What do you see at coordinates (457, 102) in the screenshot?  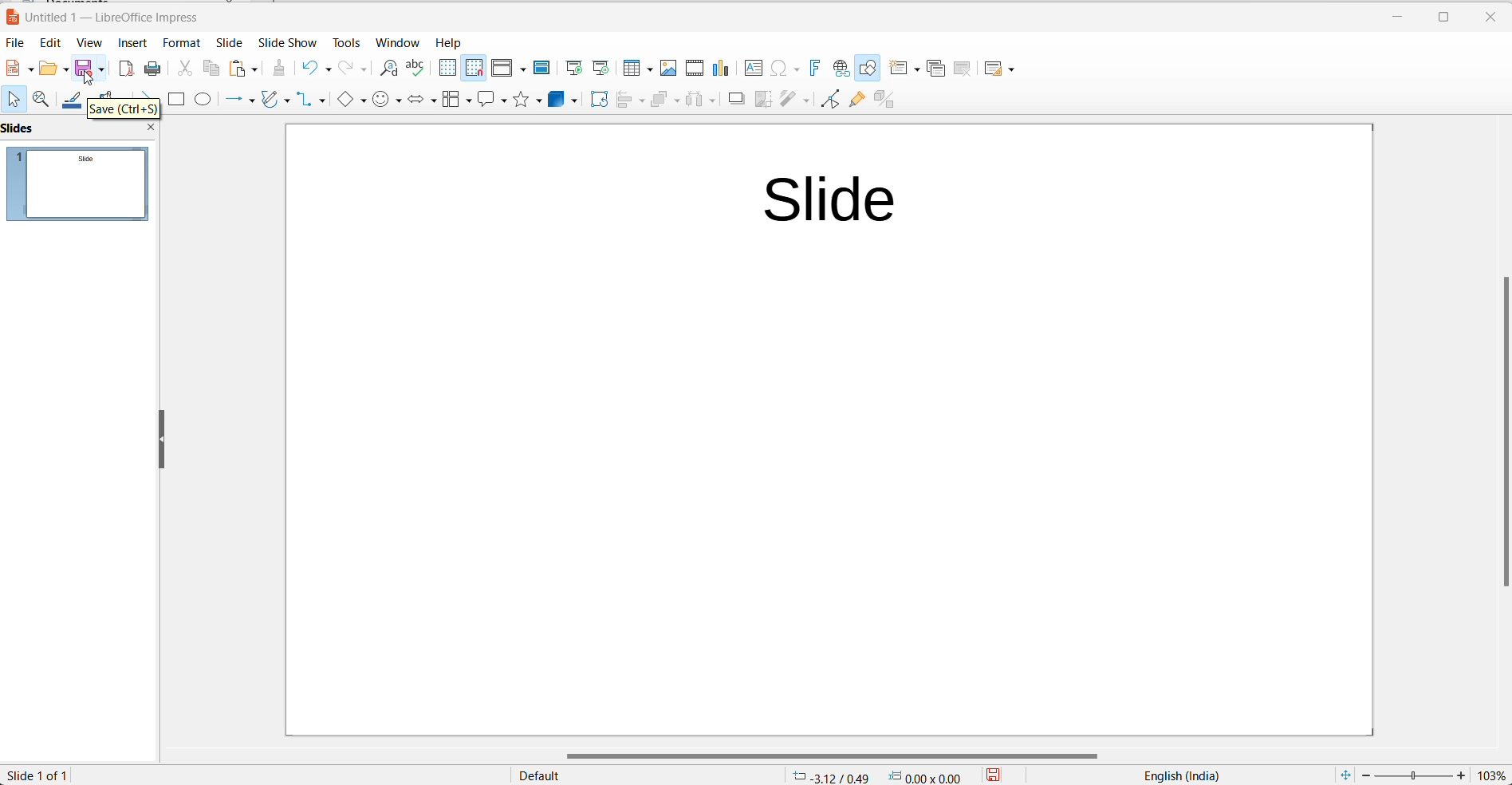 I see `flow chart` at bounding box center [457, 102].